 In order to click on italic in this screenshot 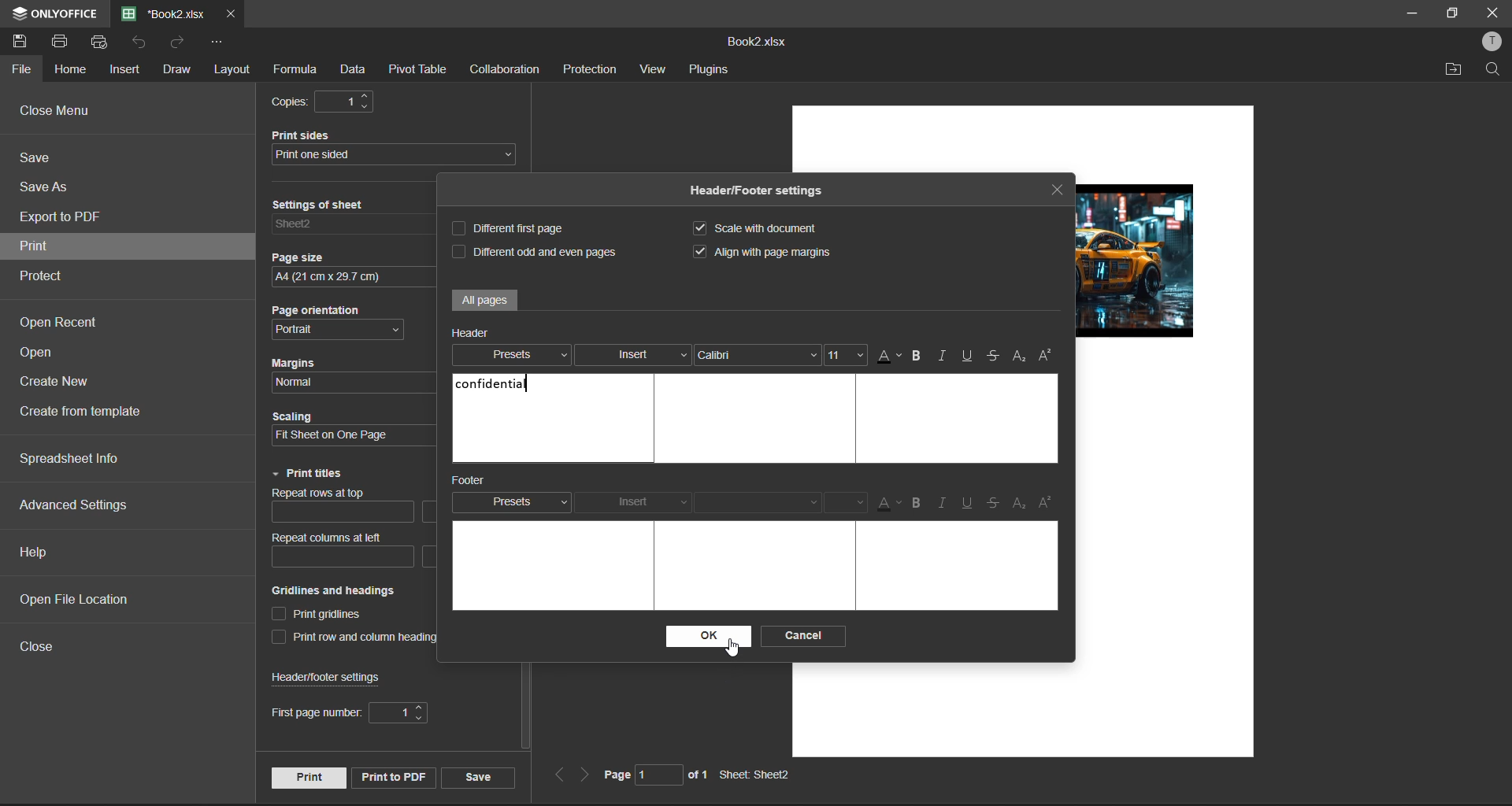, I will do `click(946, 502)`.